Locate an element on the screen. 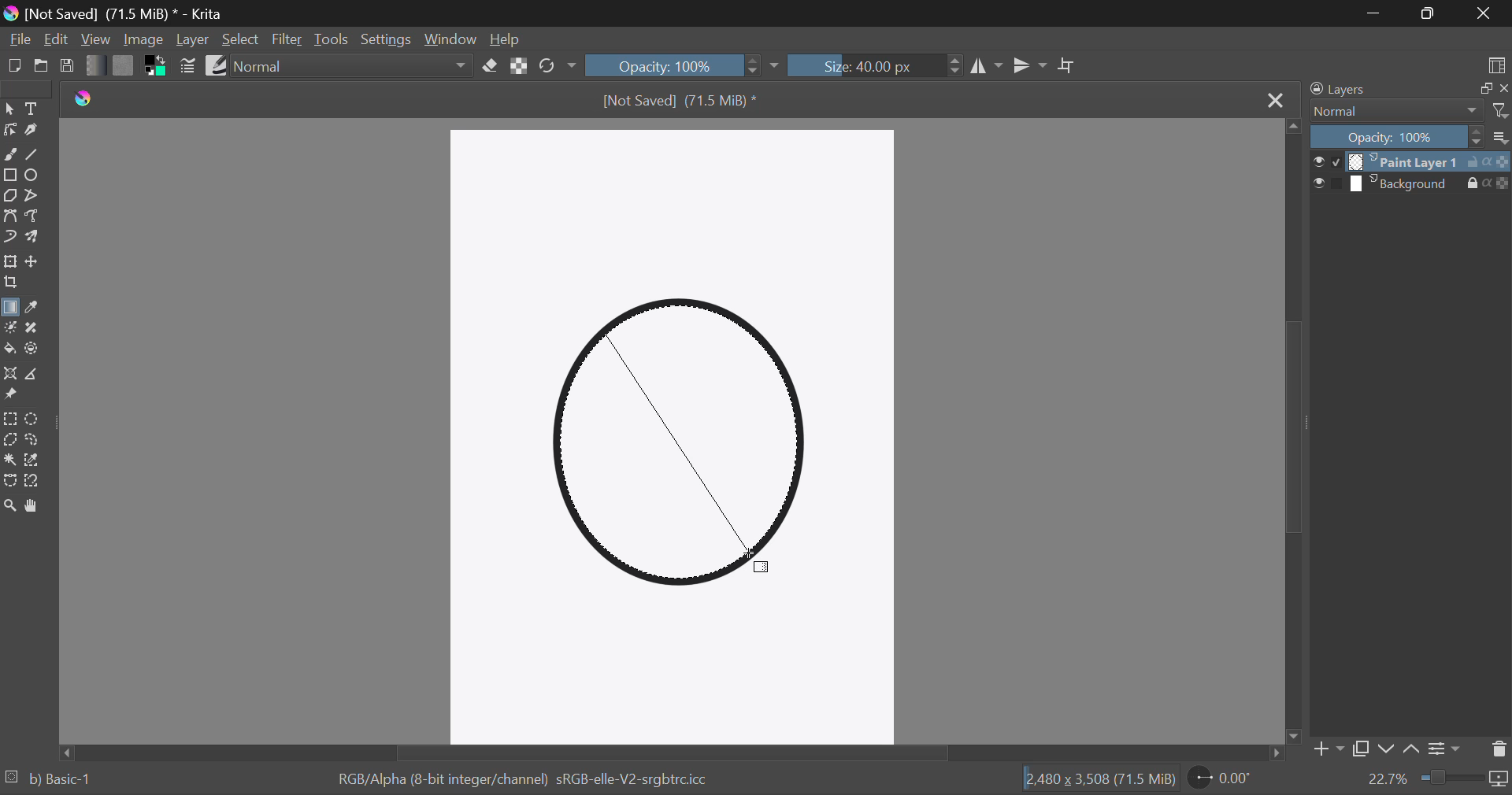  Choose Workspace is located at coordinates (1496, 65).